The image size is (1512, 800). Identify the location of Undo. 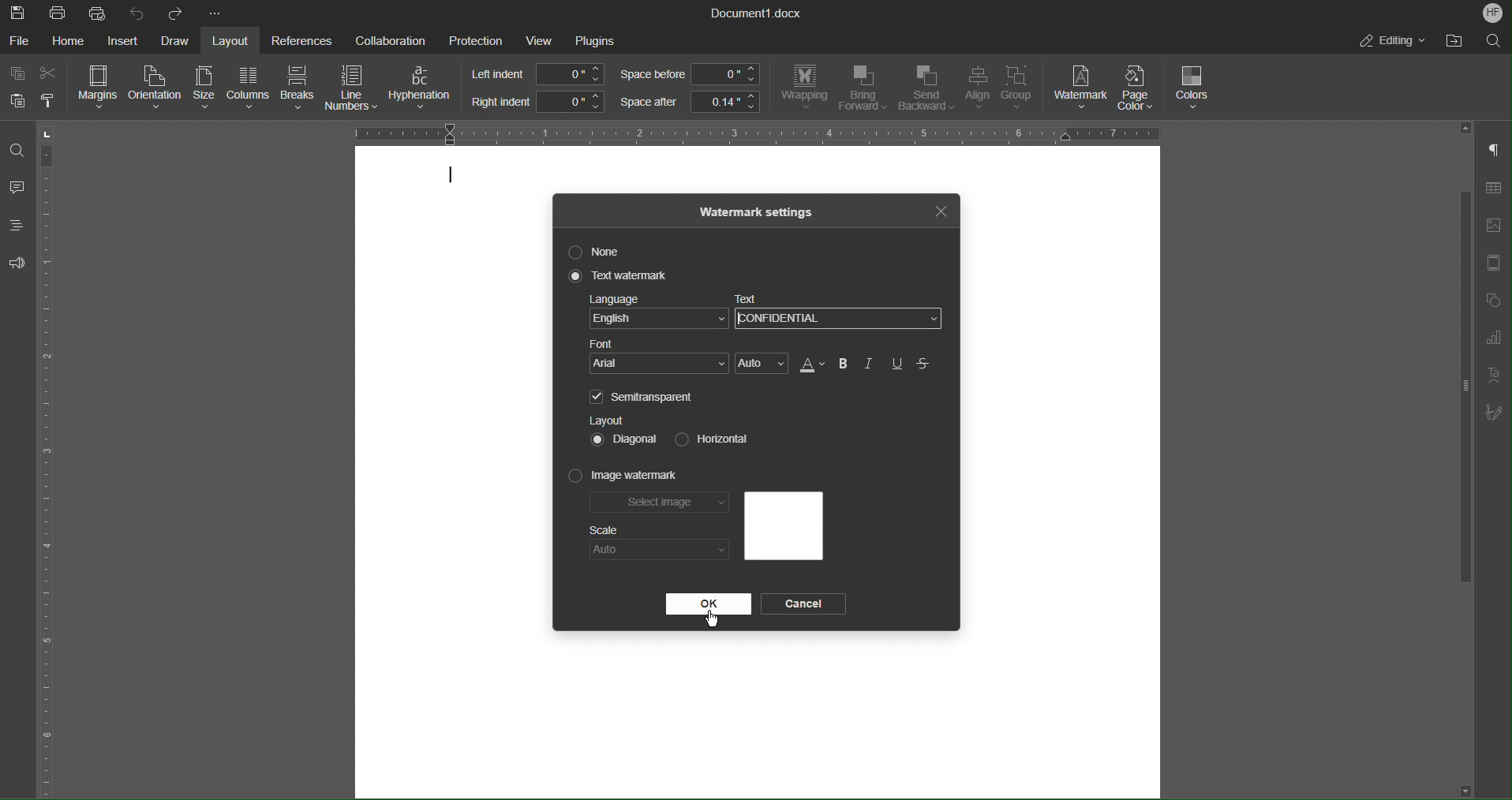
(137, 13).